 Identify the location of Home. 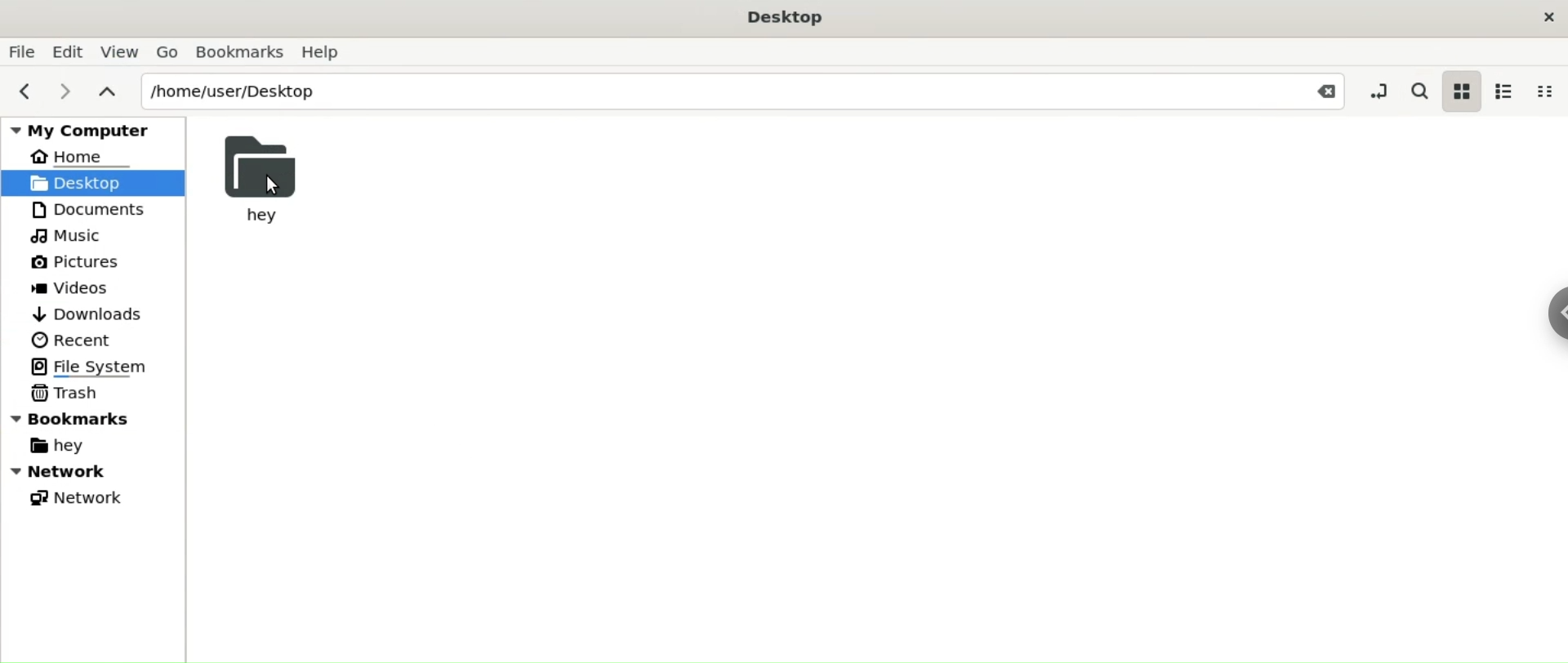
(80, 156).